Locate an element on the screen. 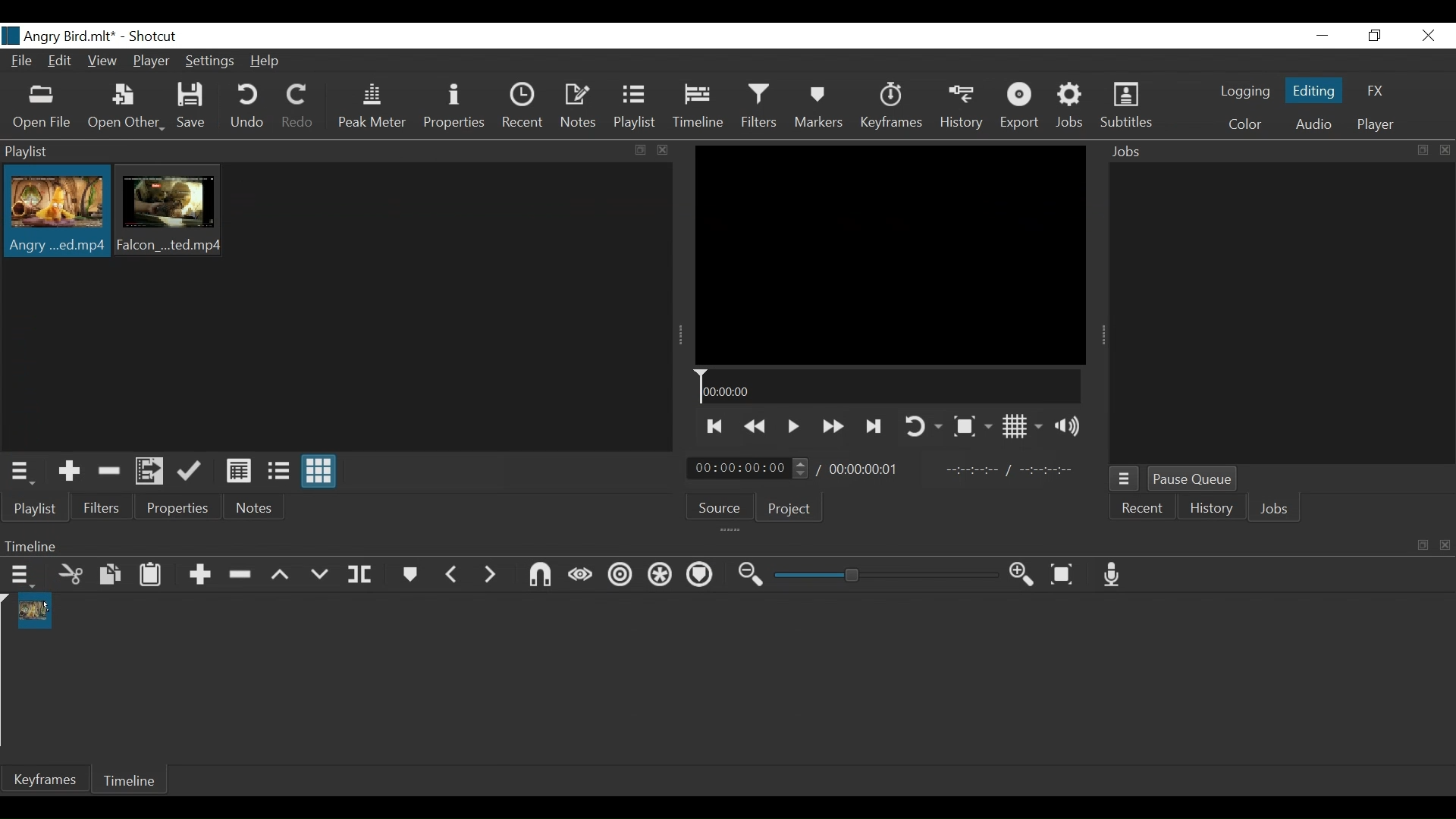  Zoom timeline out is located at coordinates (753, 576).